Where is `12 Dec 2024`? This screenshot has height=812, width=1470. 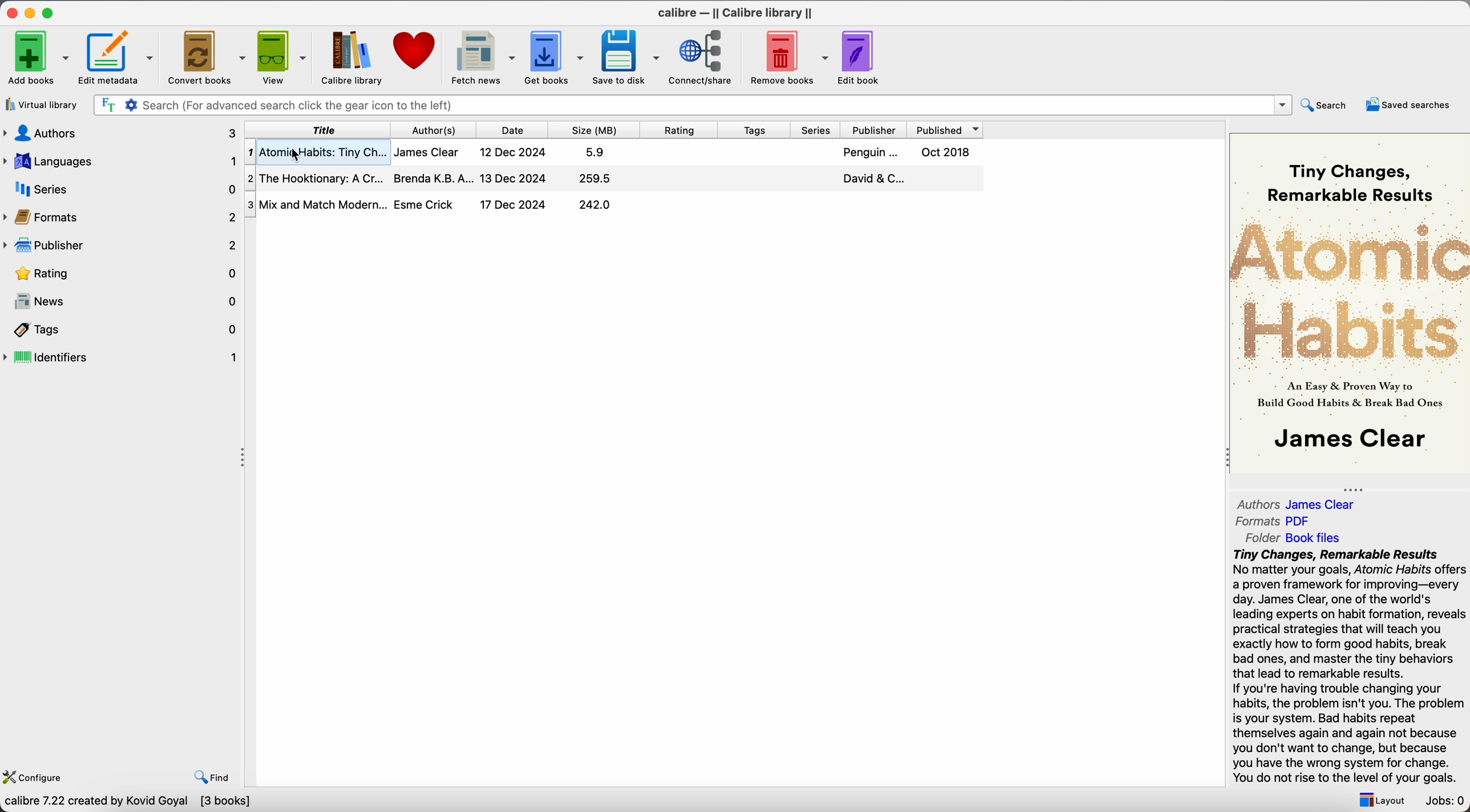 12 Dec 2024 is located at coordinates (512, 151).